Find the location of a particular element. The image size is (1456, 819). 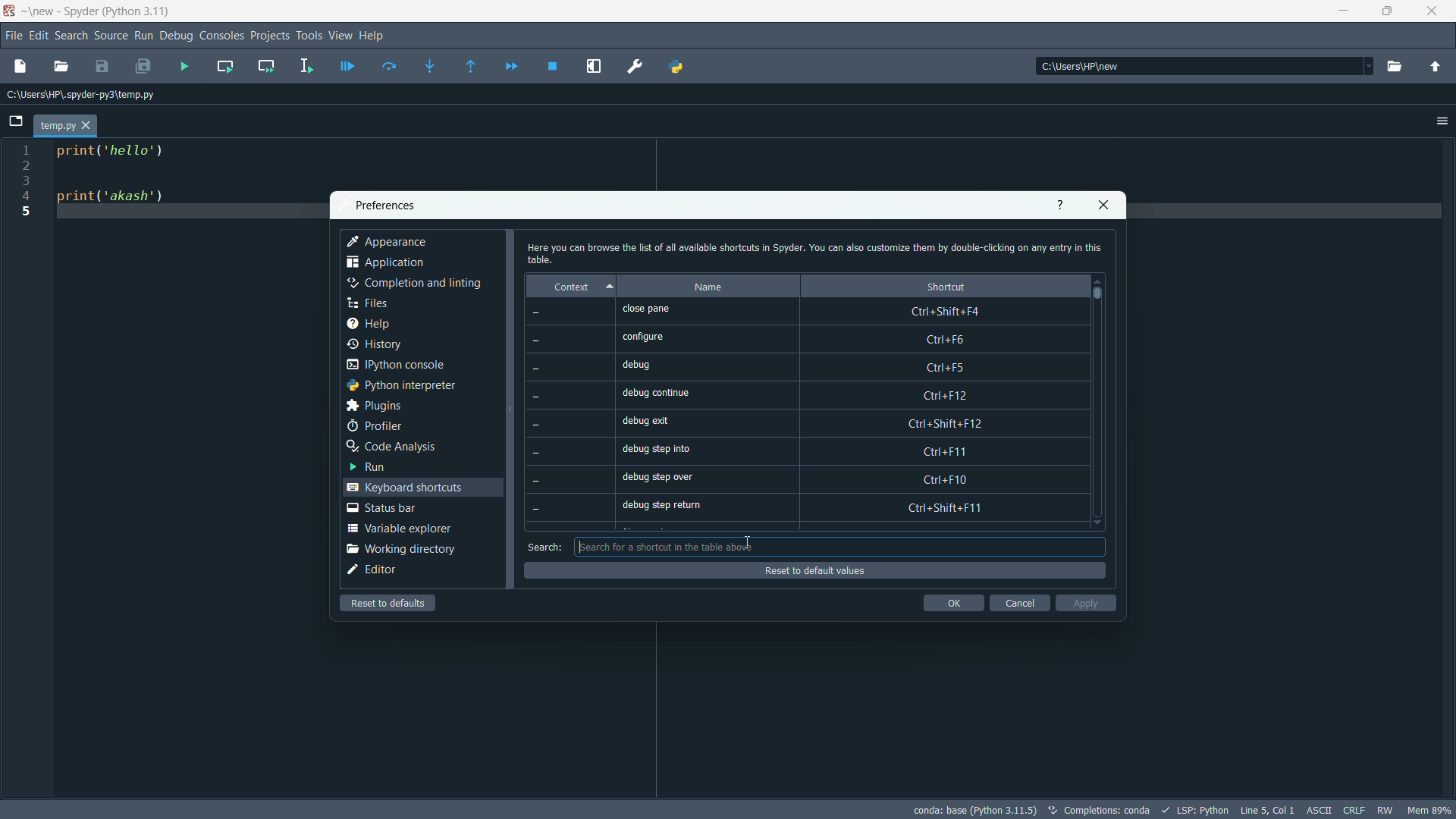

-, debug step into, ctrl+f11 is located at coordinates (802, 453).